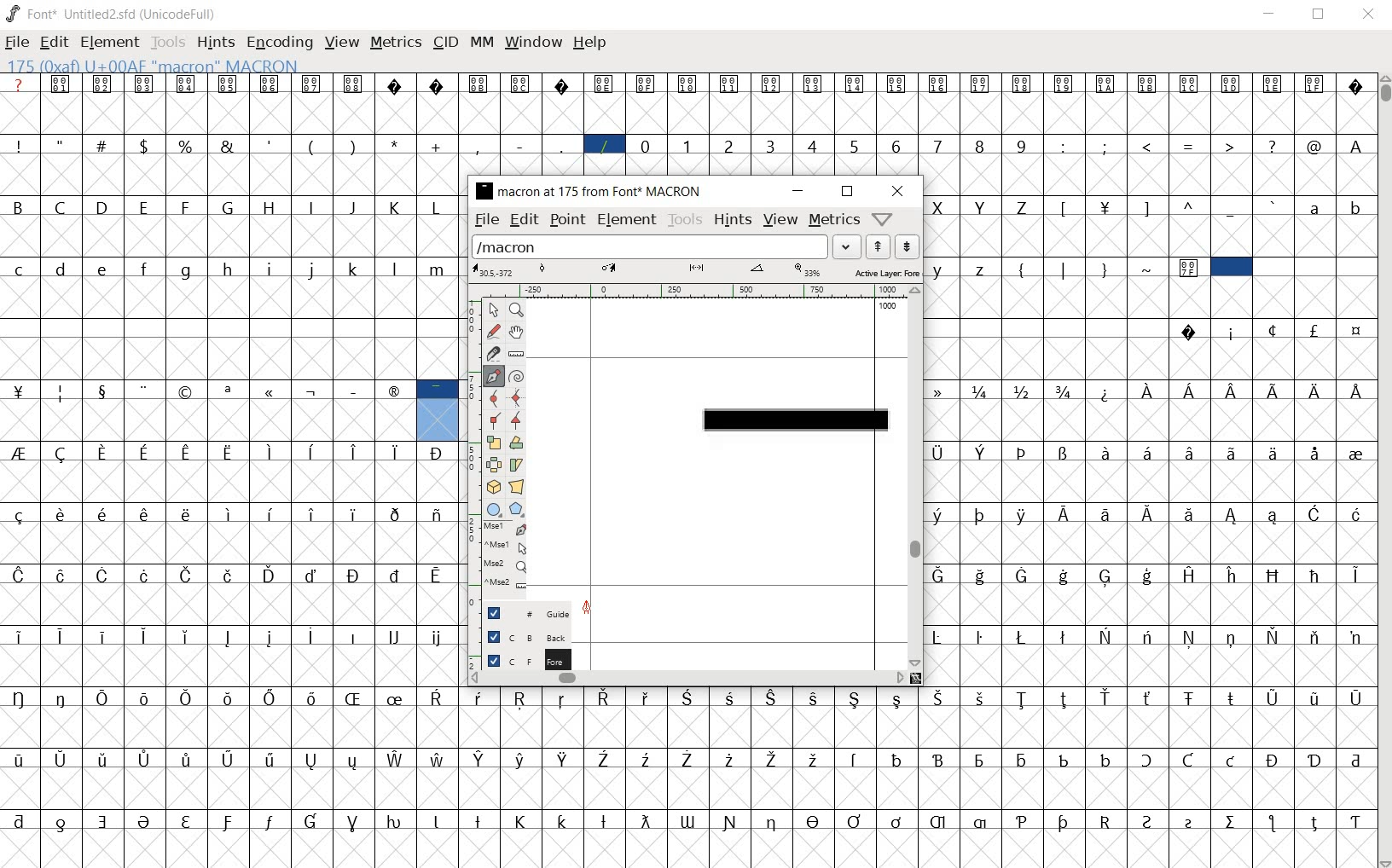 The image size is (1392, 868). Describe the element at coordinates (940, 207) in the screenshot. I see `X` at that location.